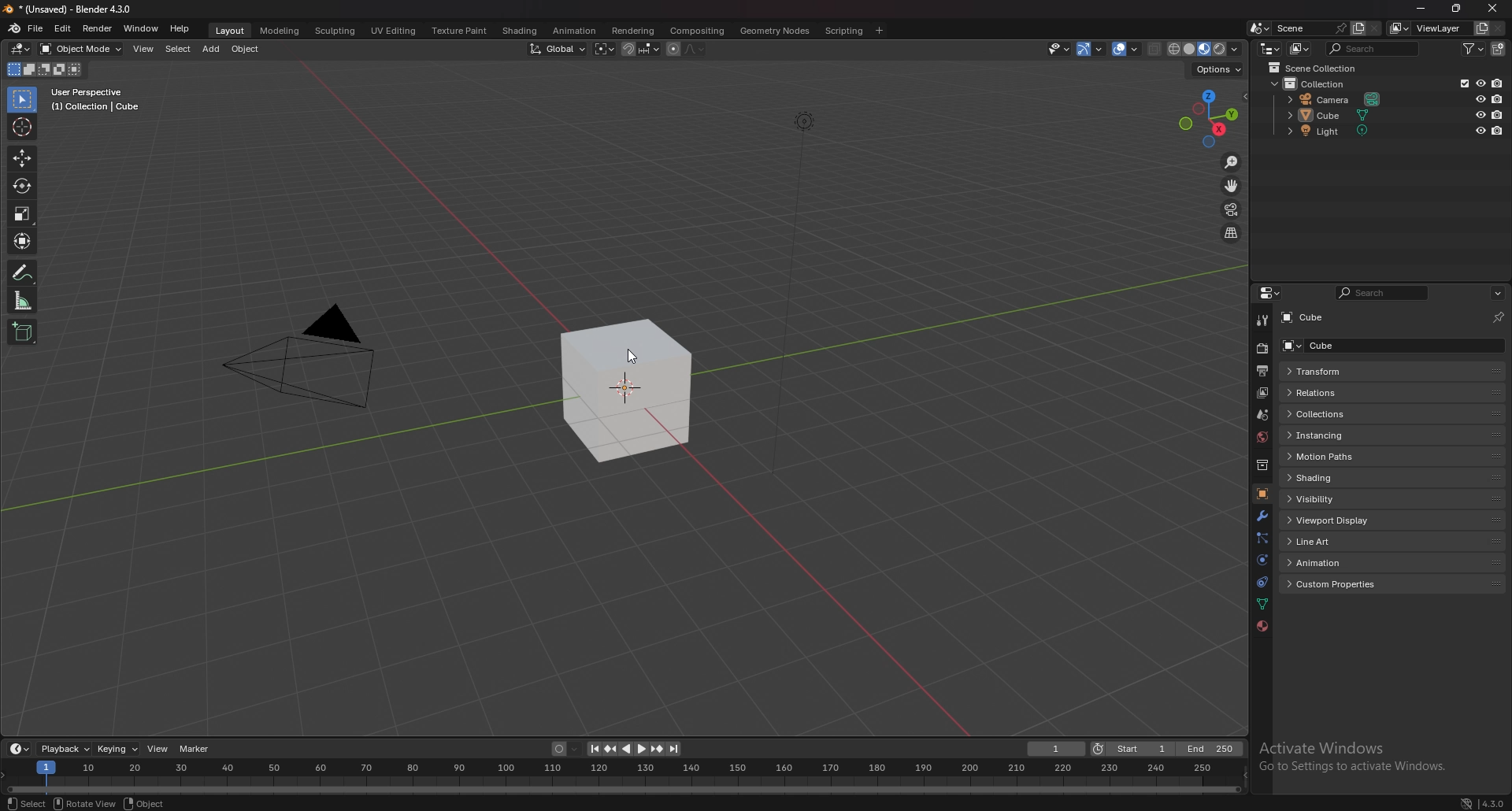 Image resolution: width=1512 pixels, height=811 pixels. I want to click on version, so click(1494, 803).